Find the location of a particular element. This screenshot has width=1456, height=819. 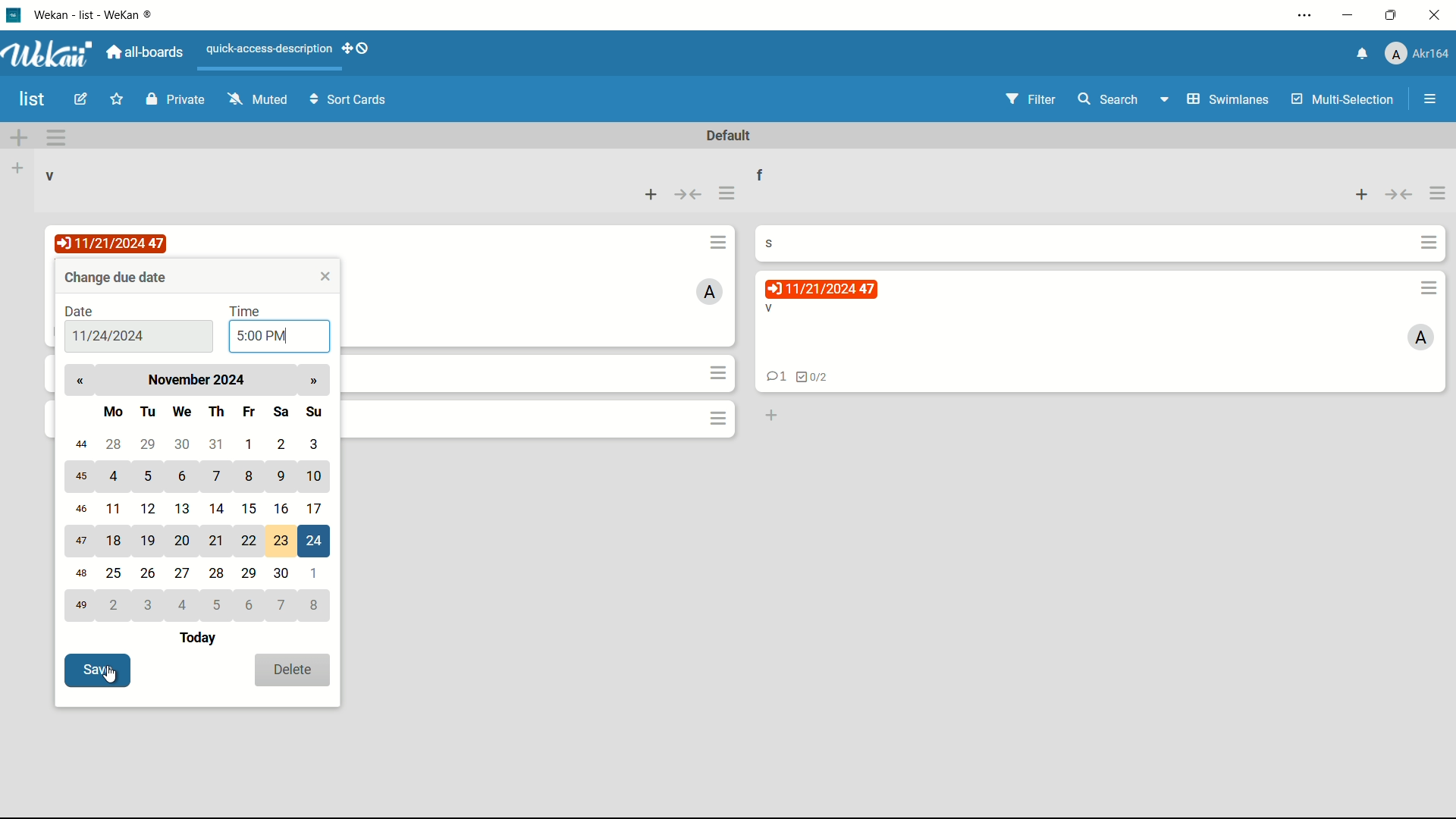

month and year is located at coordinates (201, 379).